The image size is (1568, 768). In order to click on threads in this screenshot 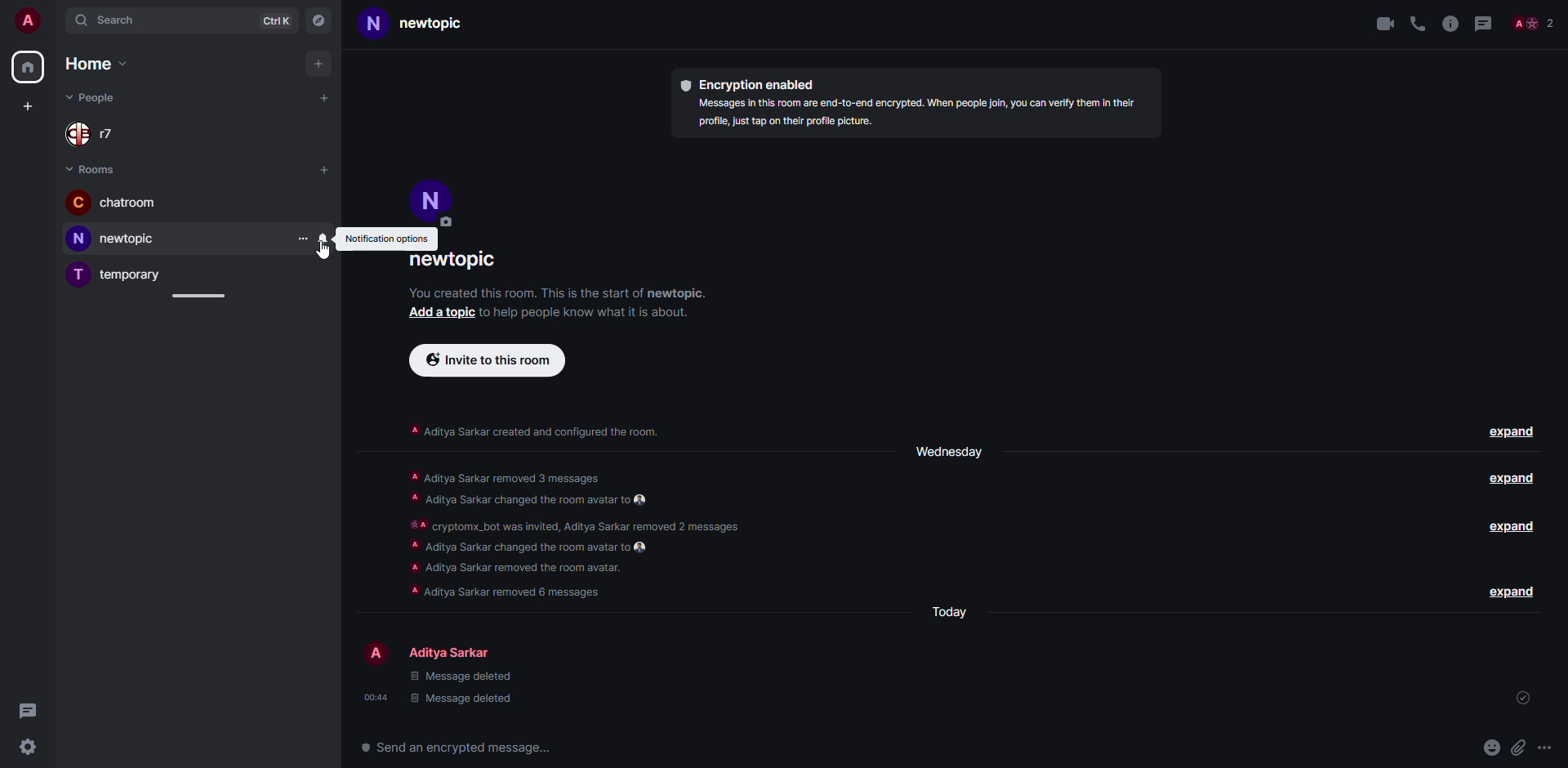, I will do `click(29, 709)`.